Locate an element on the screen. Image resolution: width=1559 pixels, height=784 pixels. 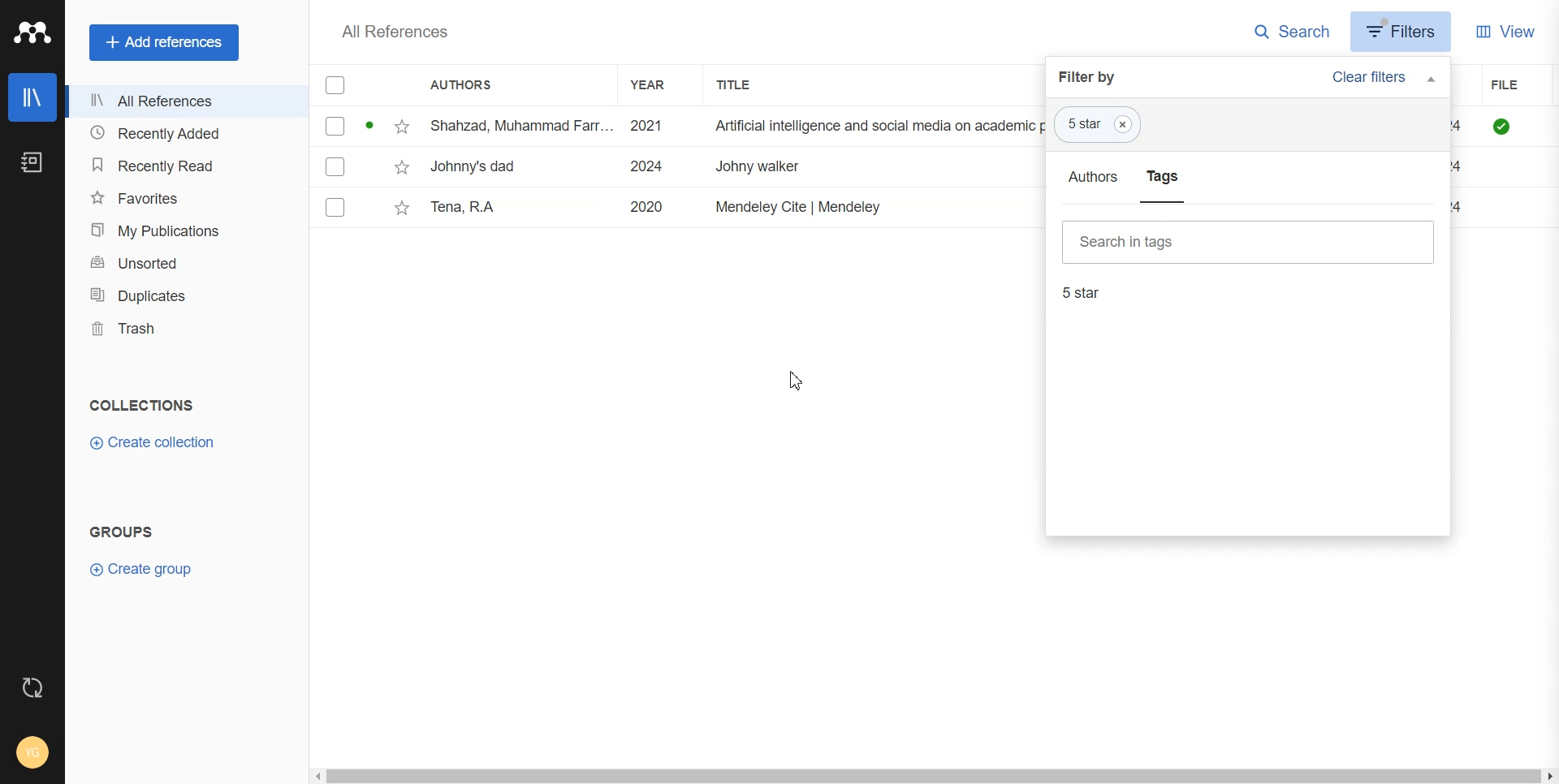
Create Group is located at coordinates (149, 569).